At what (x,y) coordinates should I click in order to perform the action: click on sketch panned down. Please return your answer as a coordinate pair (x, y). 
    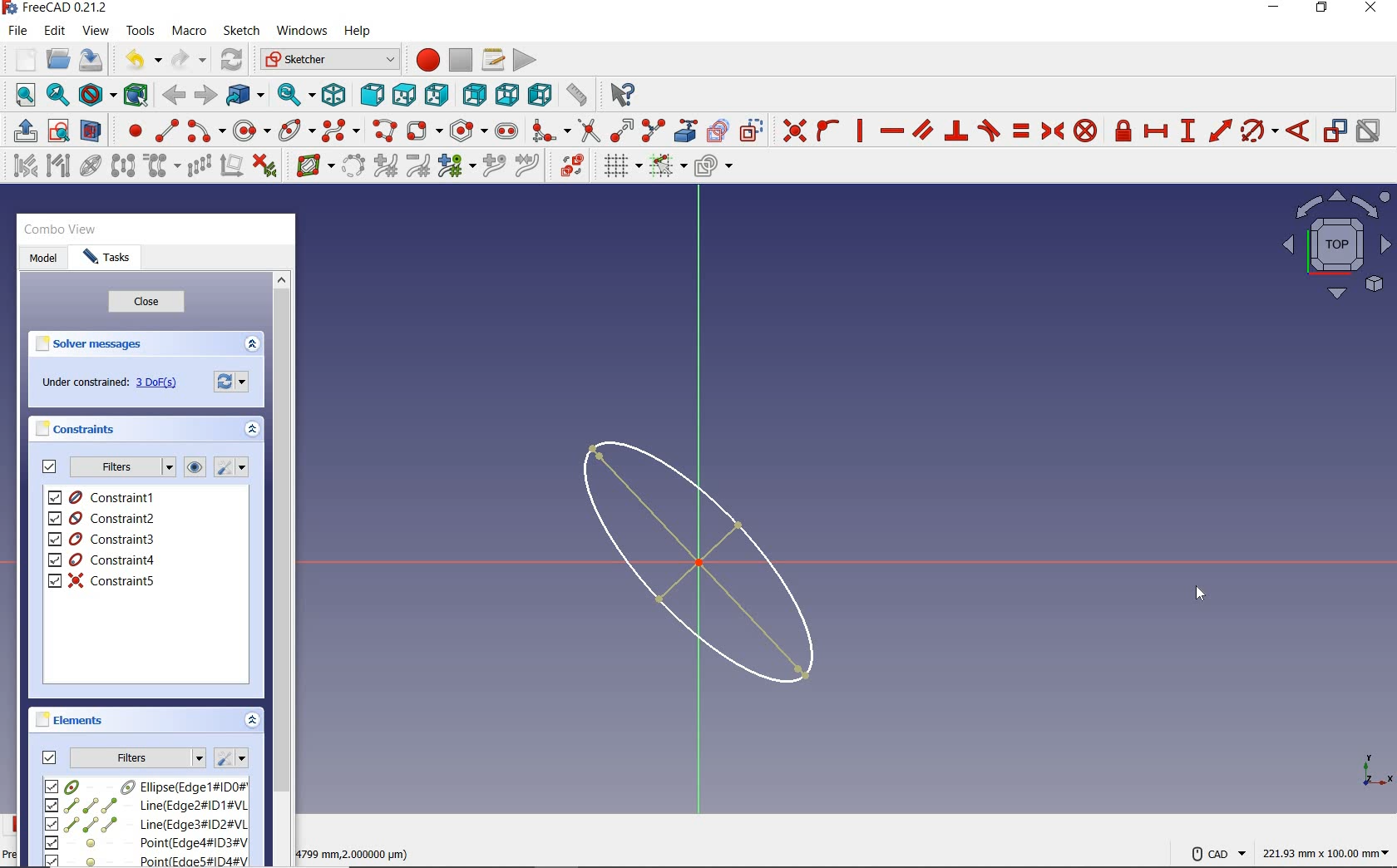
    Looking at the image, I should click on (713, 562).